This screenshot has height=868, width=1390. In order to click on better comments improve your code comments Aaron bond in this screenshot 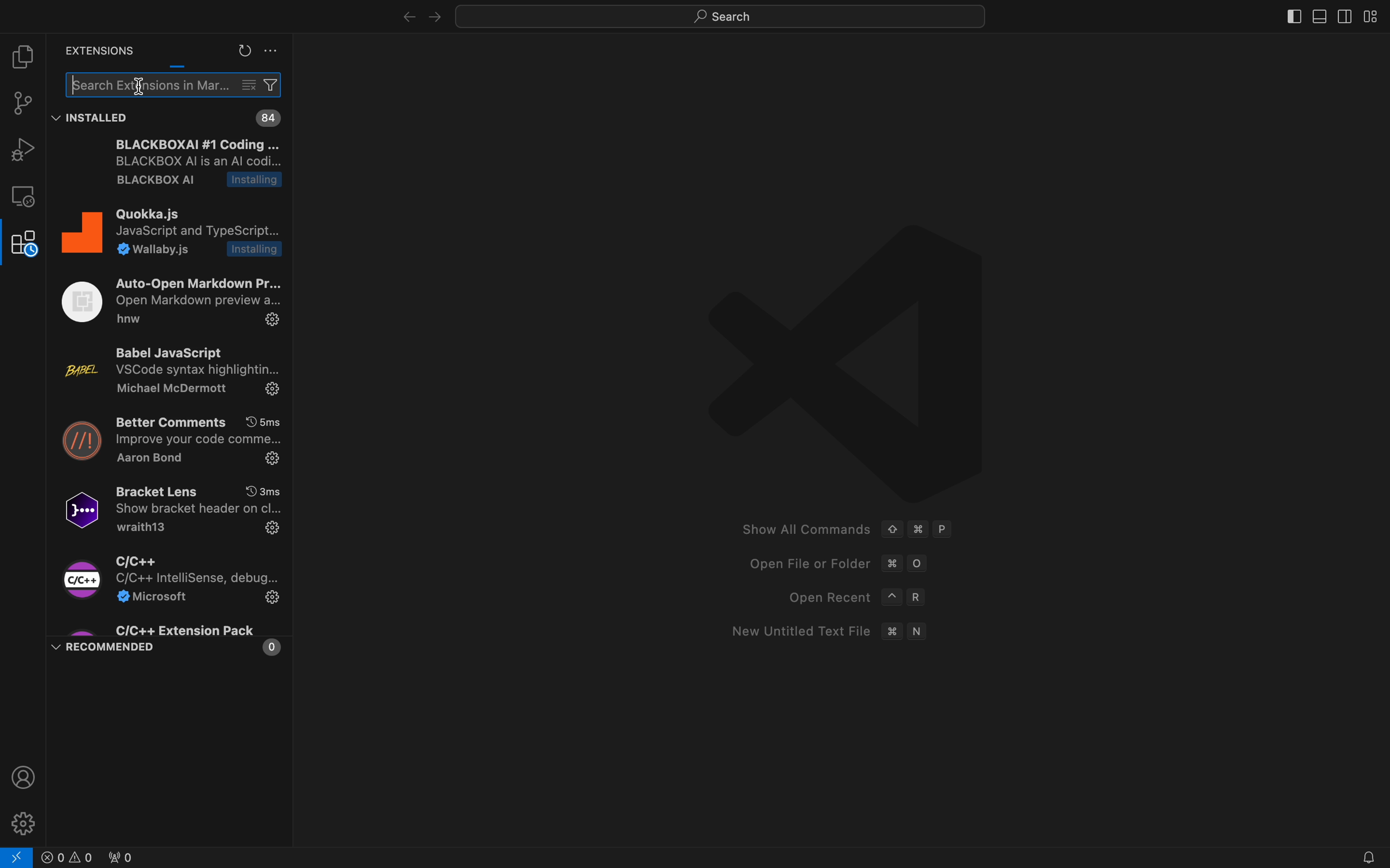, I will do `click(172, 441)`.